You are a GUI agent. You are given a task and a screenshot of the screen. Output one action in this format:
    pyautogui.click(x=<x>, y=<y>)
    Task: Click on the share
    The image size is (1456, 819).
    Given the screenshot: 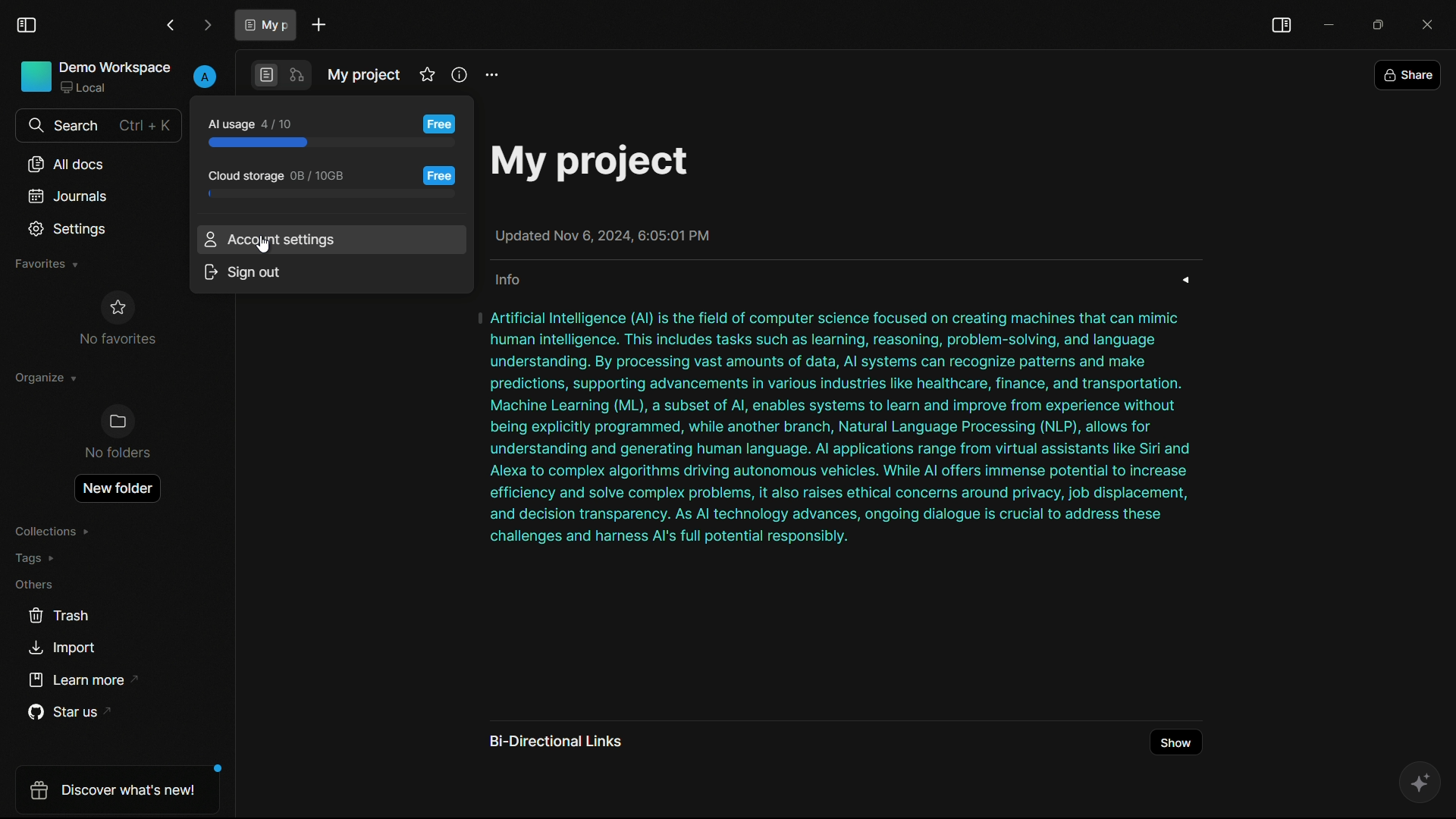 What is the action you would take?
    pyautogui.click(x=1407, y=77)
    